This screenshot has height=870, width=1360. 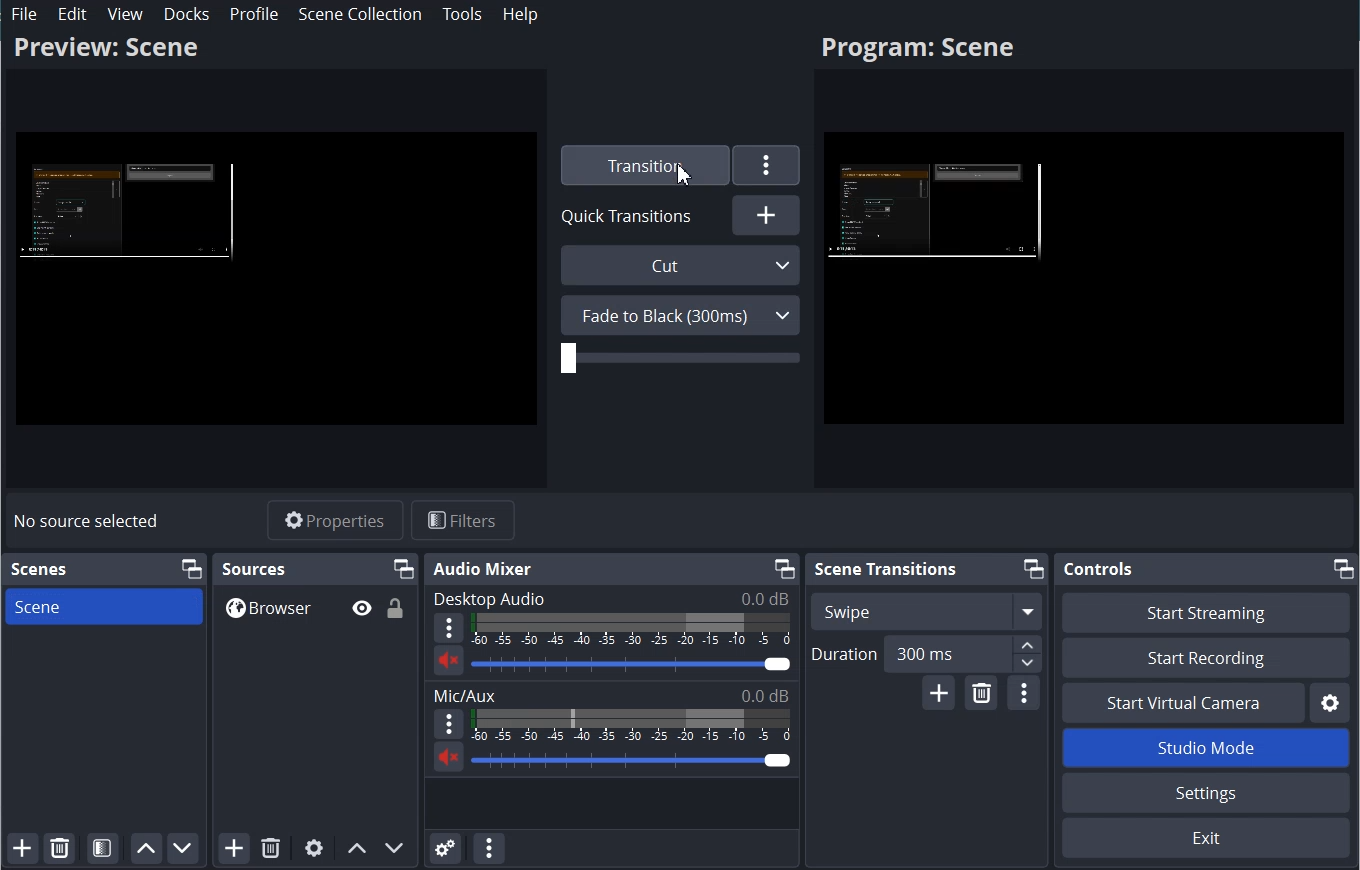 What do you see at coordinates (612, 695) in the screenshot?
I see `Text` at bounding box center [612, 695].